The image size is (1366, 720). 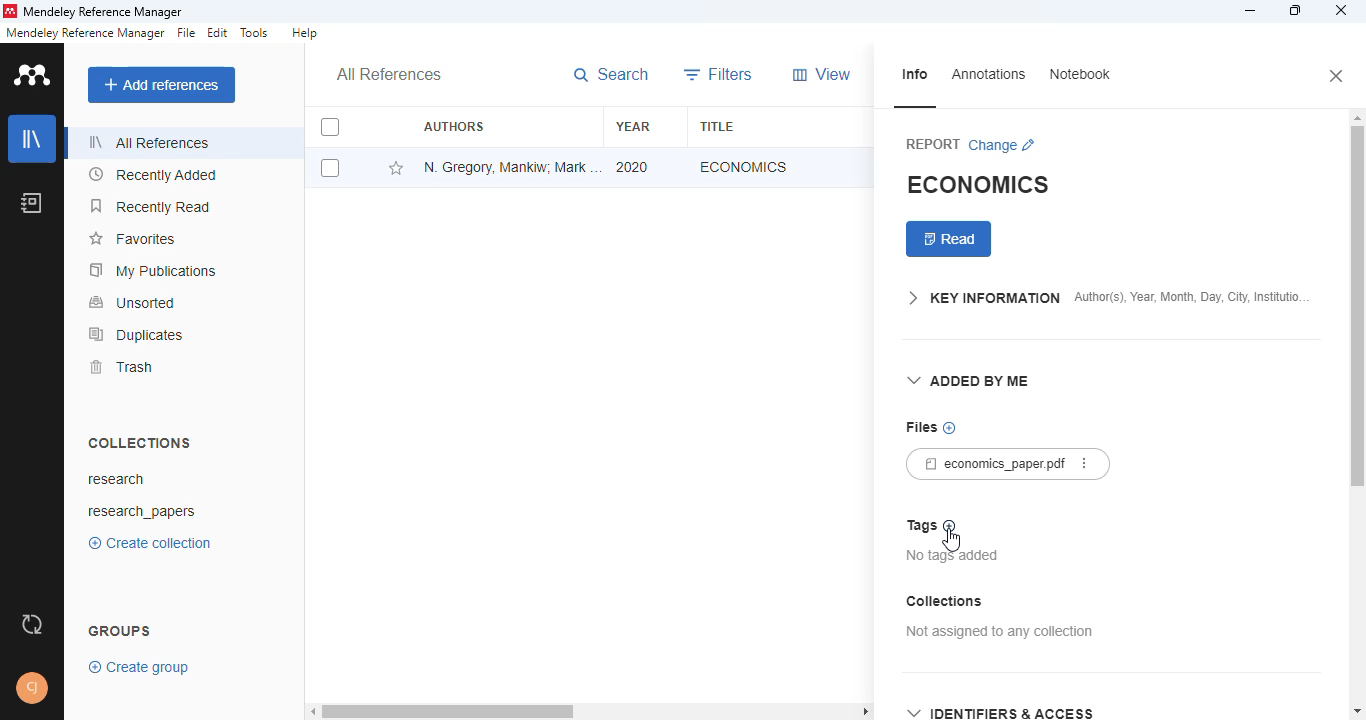 I want to click on library, so click(x=32, y=139).